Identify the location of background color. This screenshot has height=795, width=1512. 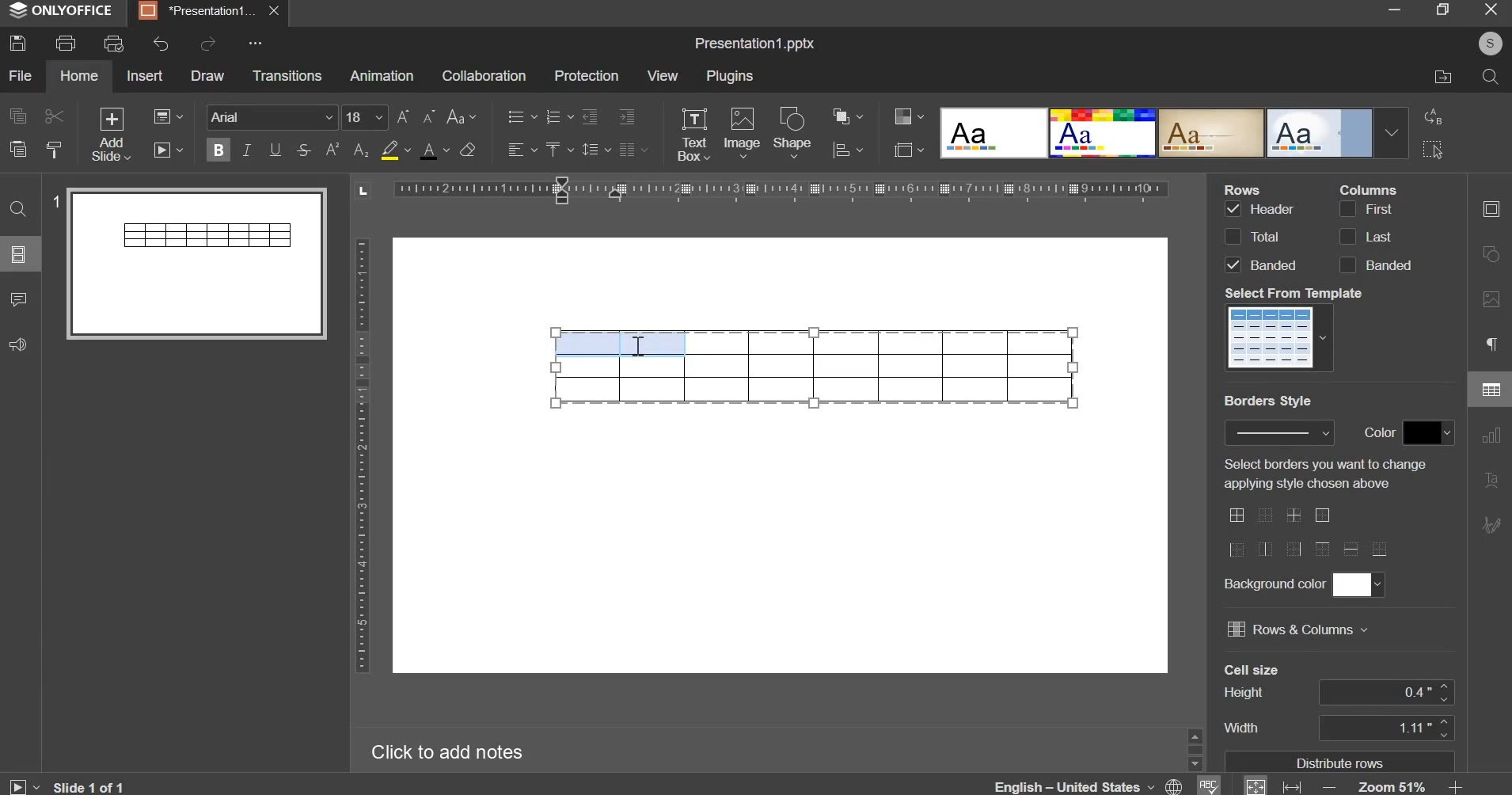
(1357, 584).